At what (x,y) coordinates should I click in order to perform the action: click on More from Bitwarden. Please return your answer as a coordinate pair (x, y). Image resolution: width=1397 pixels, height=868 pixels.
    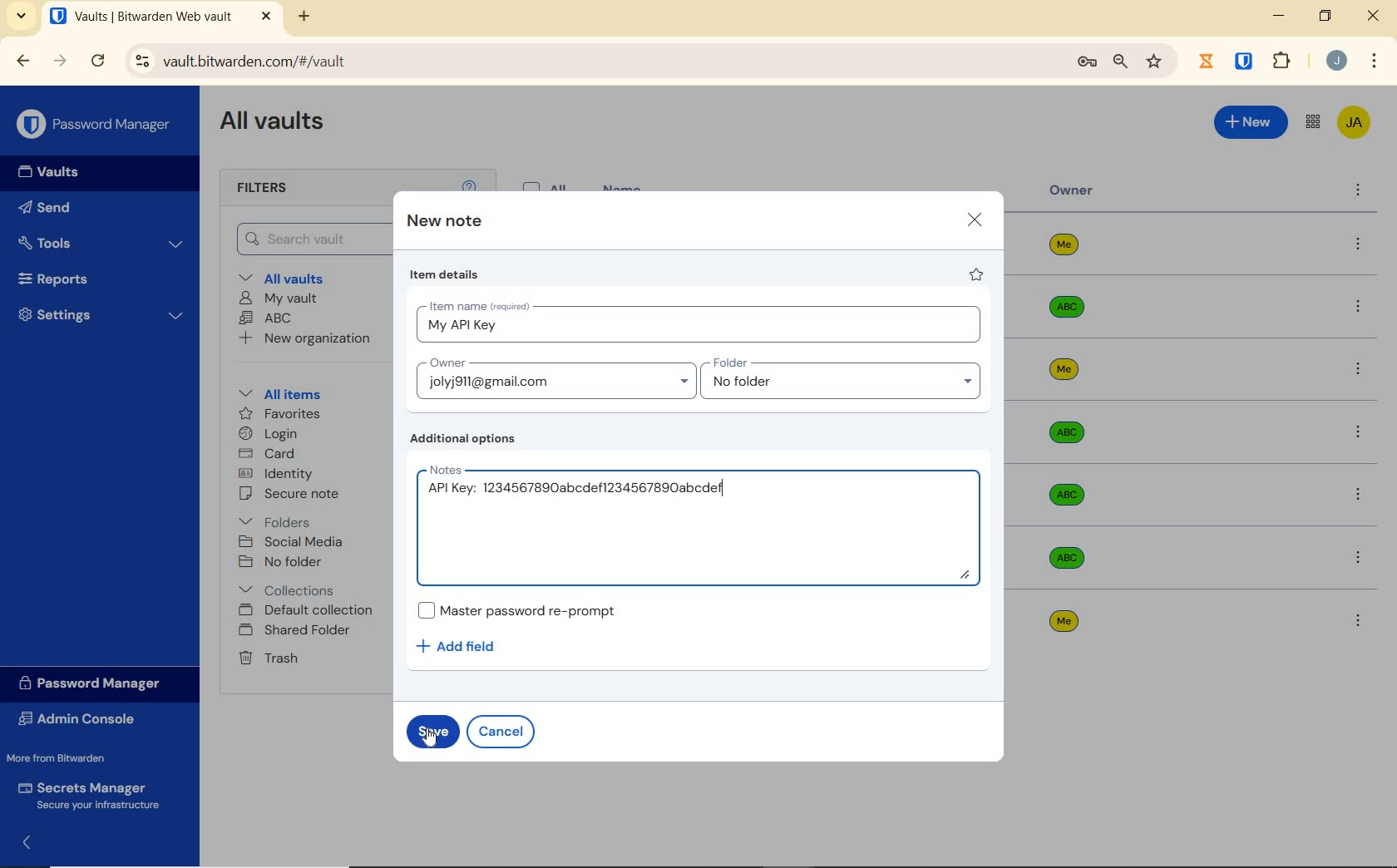
    Looking at the image, I should click on (73, 758).